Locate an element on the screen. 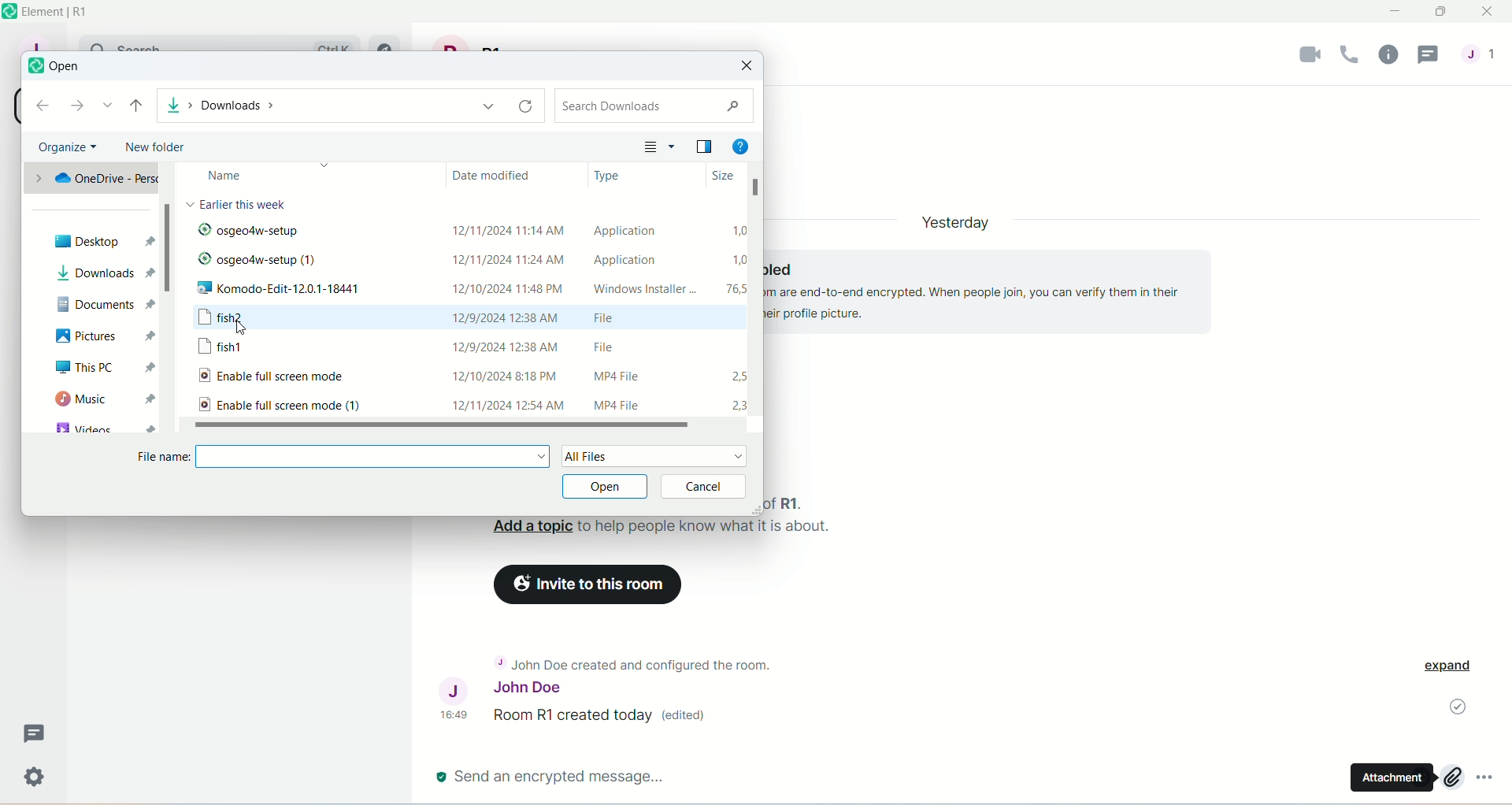 This screenshot has height=805, width=1512. John Doe is located at coordinates (502, 691).